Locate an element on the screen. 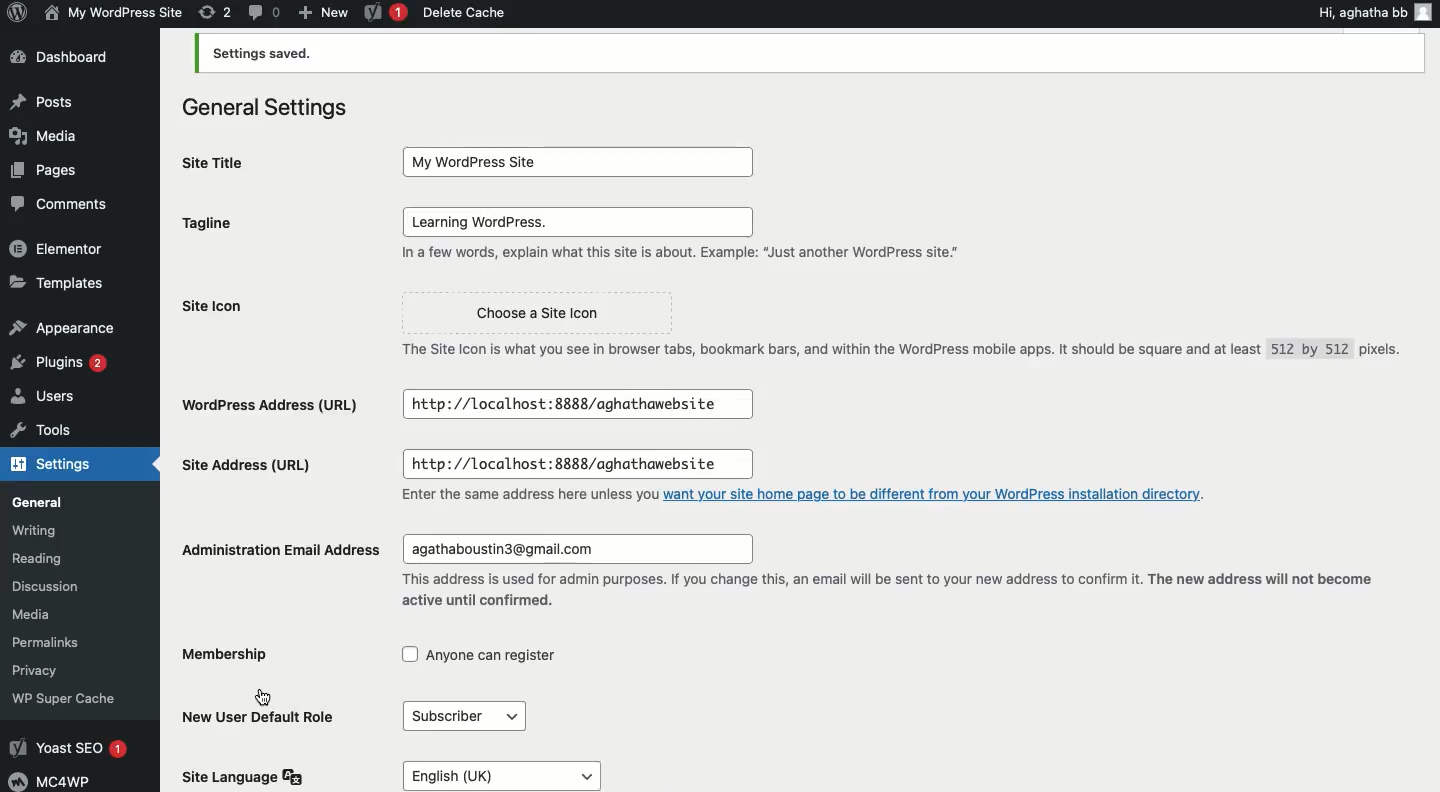 The height and width of the screenshot is (792, 1440). New user default role is located at coordinates (257, 721).